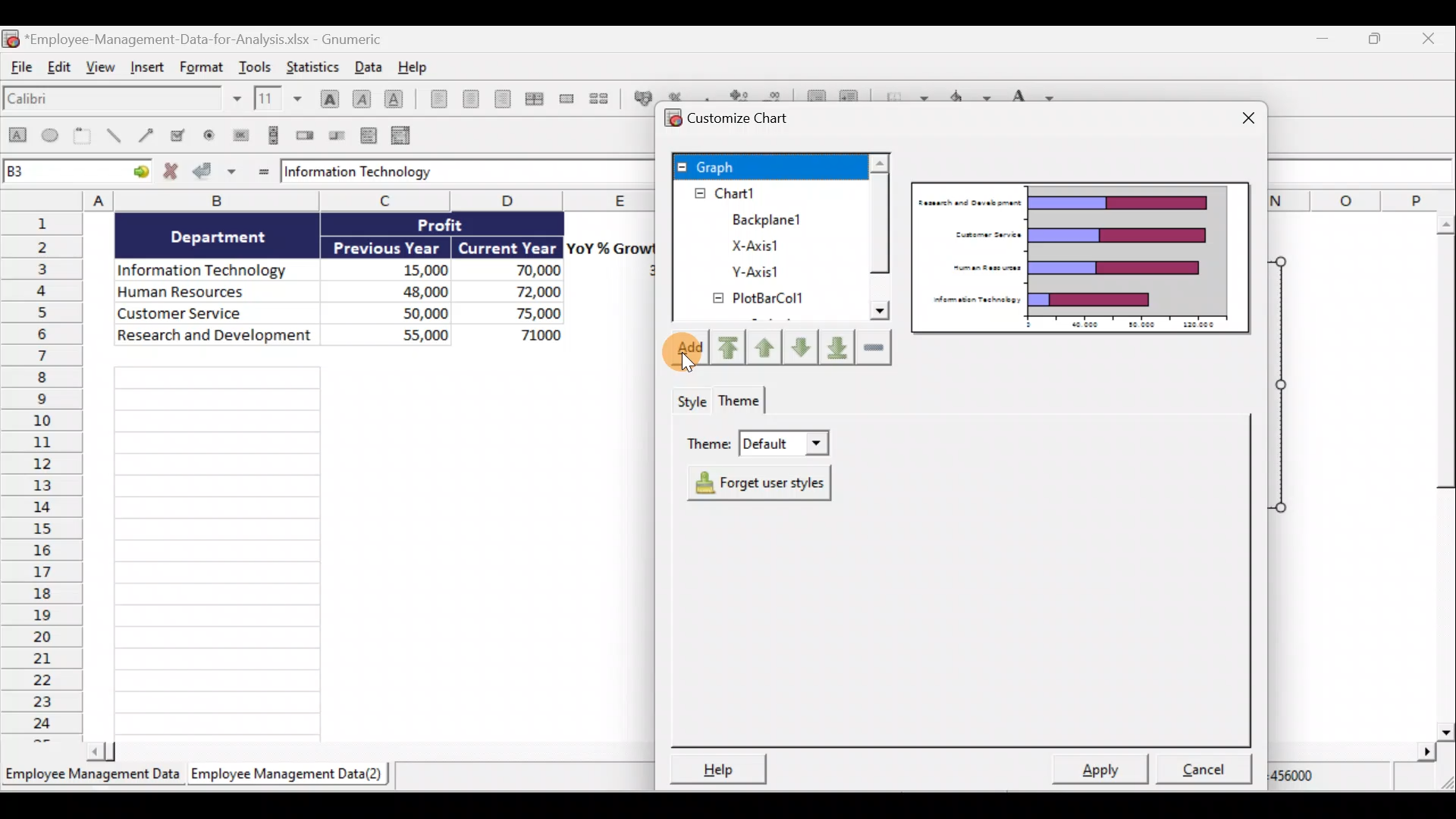 The height and width of the screenshot is (819, 1456). What do you see at coordinates (92, 773) in the screenshot?
I see `Employee Management Data` at bounding box center [92, 773].